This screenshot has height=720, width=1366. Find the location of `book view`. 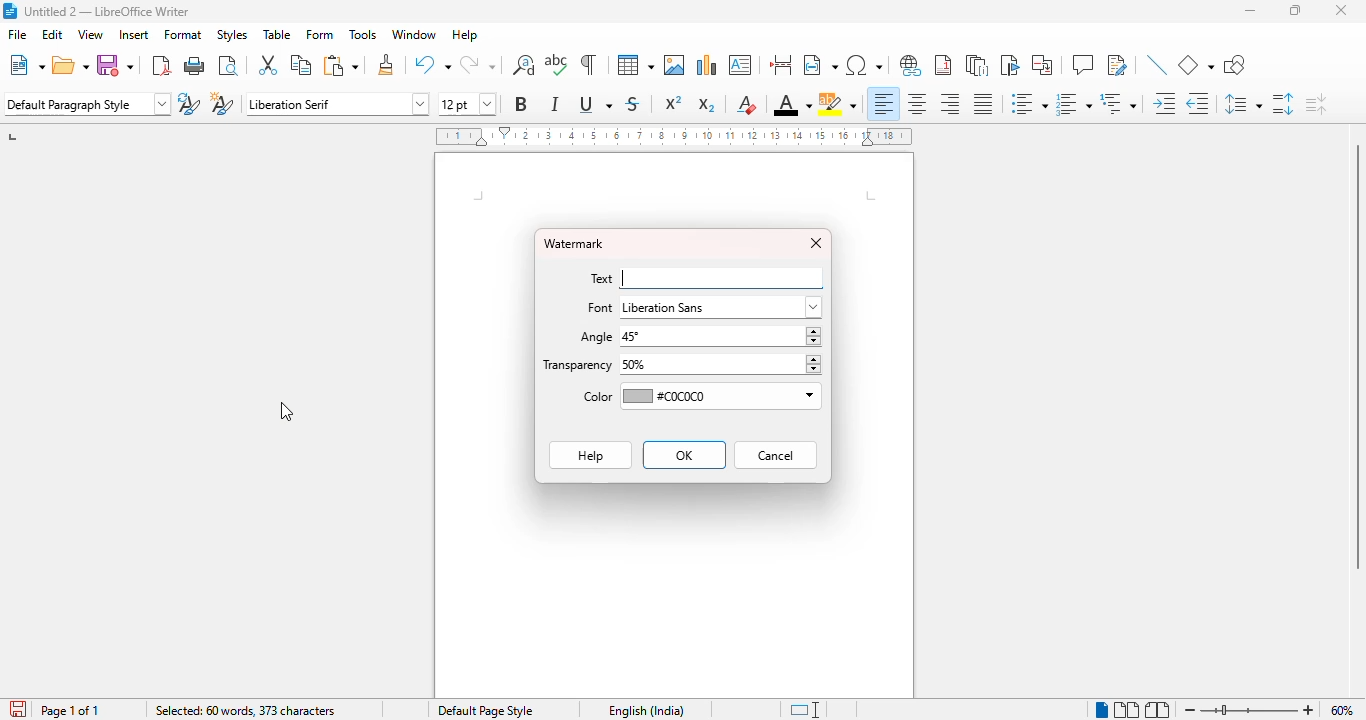

book view is located at coordinates (1157, 710).